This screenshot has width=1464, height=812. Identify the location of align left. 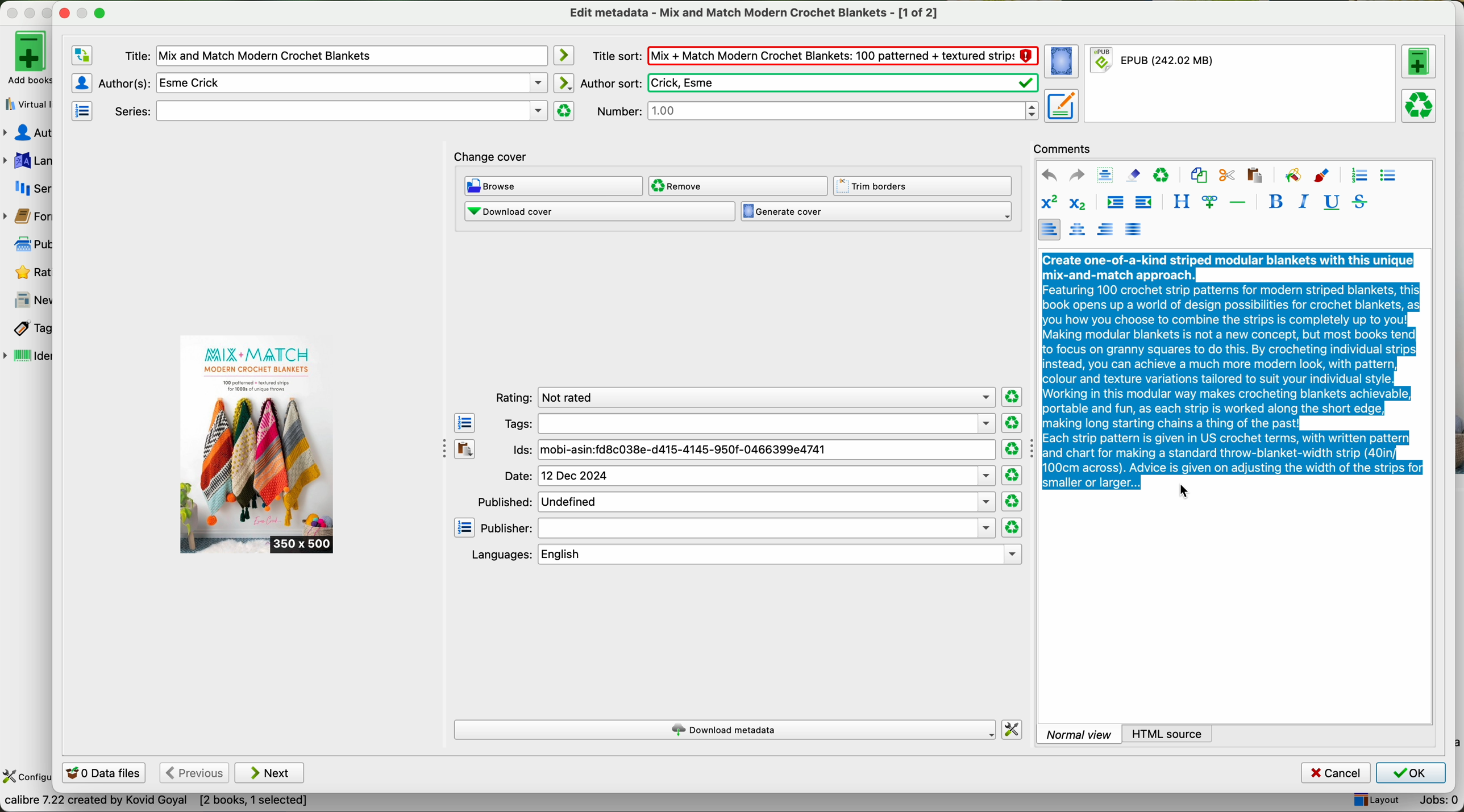
(1049, 229).